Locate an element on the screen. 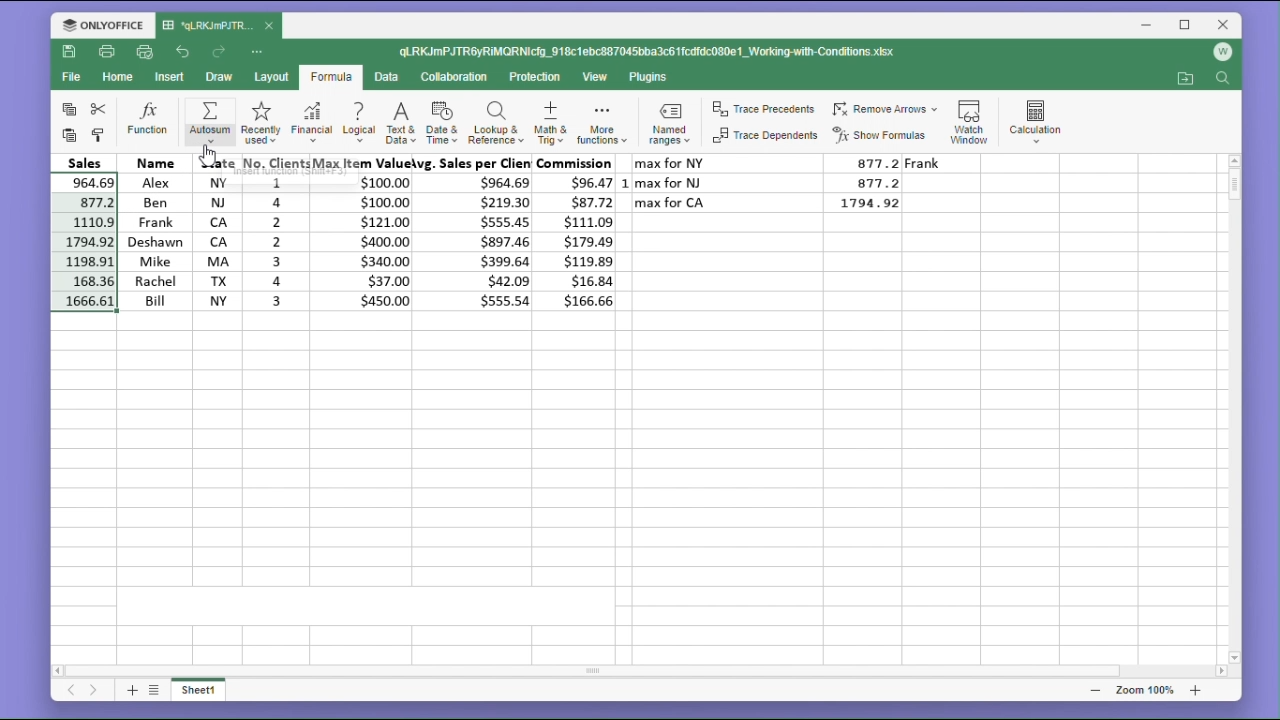  empty cells is located at coordinates (637, 485).